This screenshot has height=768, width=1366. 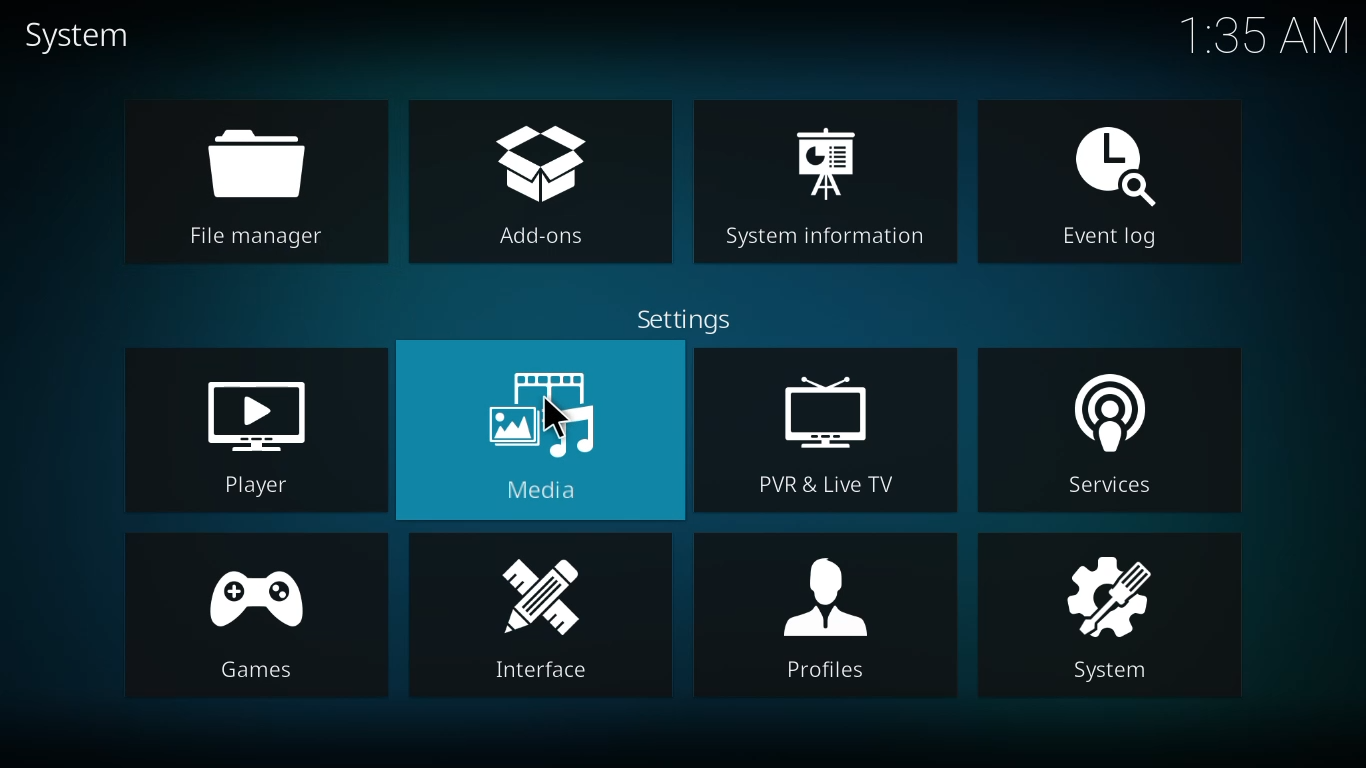 What do you see at coordinates (828, 432) in the screenshot?
I see `pvr & live tv` at bounding box center [828, 432].